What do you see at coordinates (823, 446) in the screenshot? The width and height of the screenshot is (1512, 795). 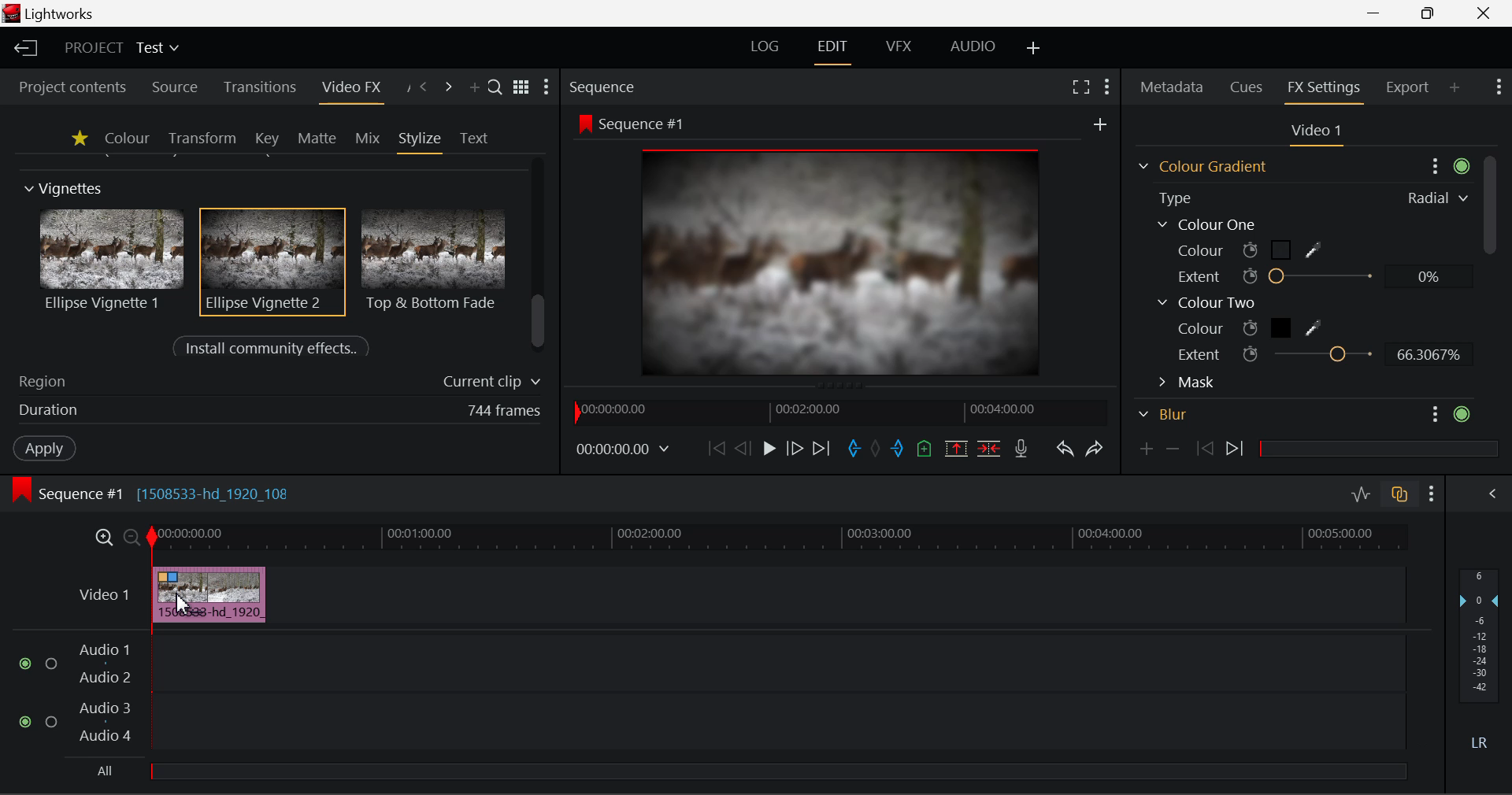 I see `To End` at bounding box center [823, 446].